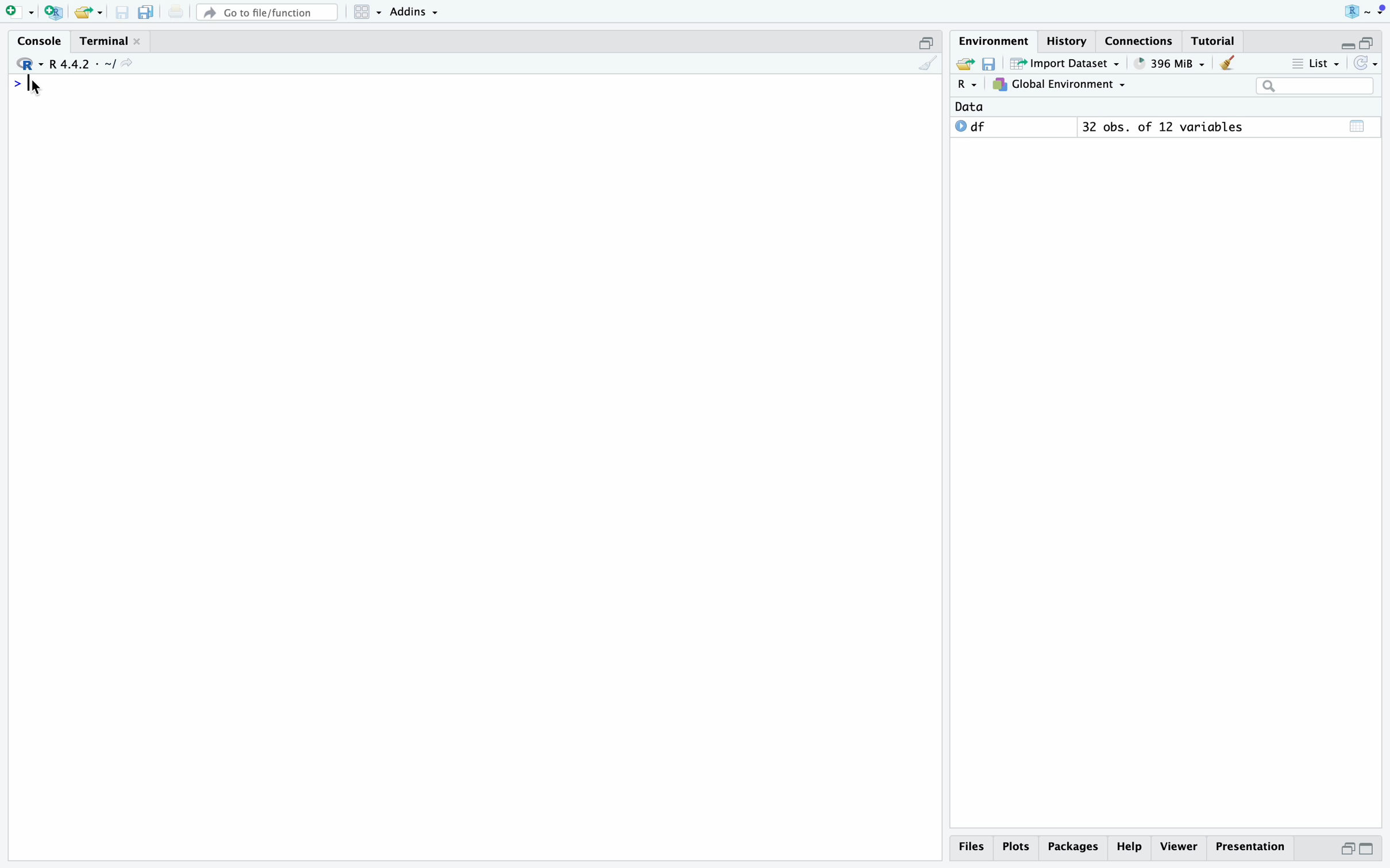 The height and width of the screenshot is (868, 1390). What do you see at coordinates (970, 106) in the screenshot?
I see `data` at bounding box center [970, 106].